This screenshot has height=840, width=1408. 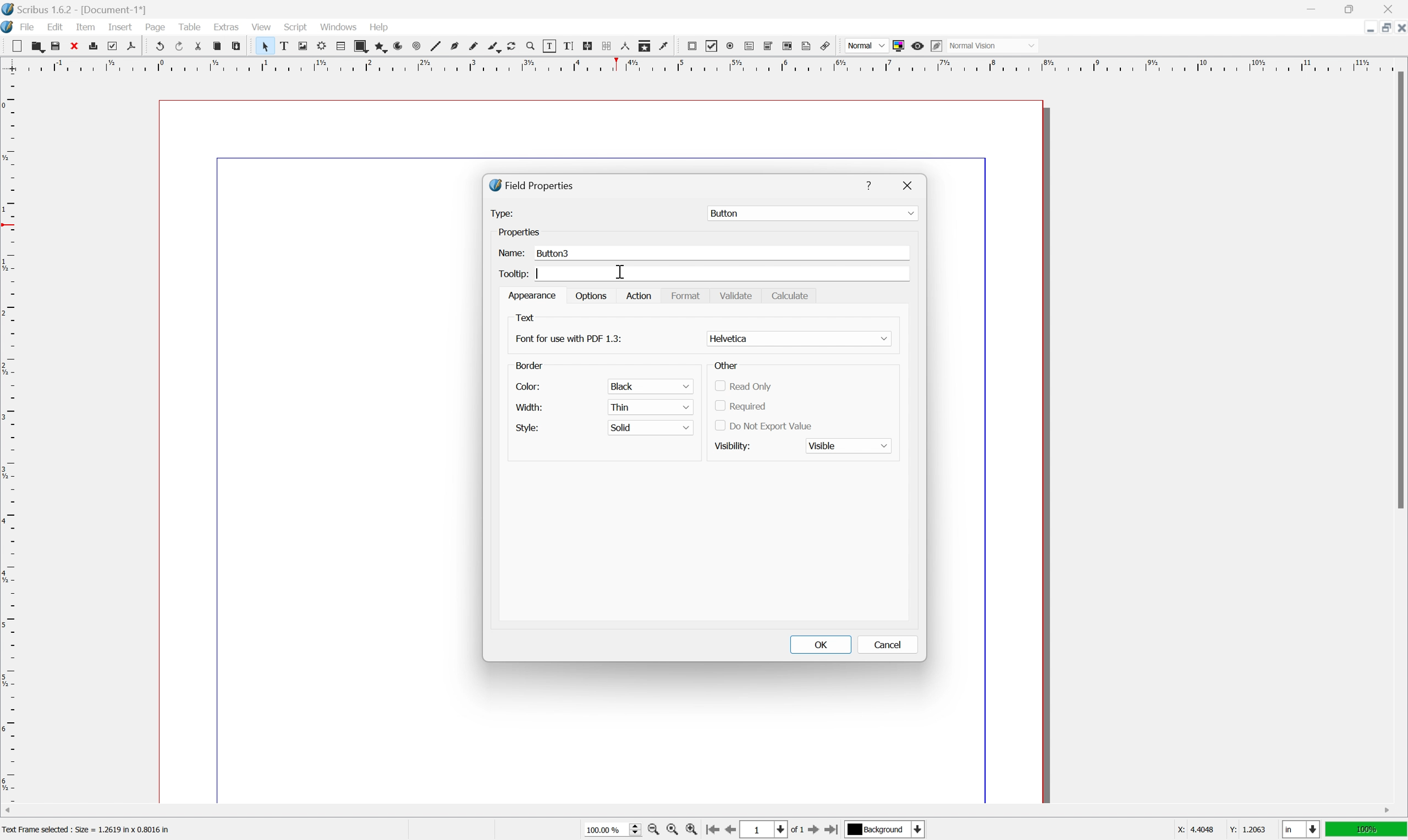 What do you see at coordinates (1316, 8) in the screenshot?
I see `minimize` at bounding box center [1316, 8].